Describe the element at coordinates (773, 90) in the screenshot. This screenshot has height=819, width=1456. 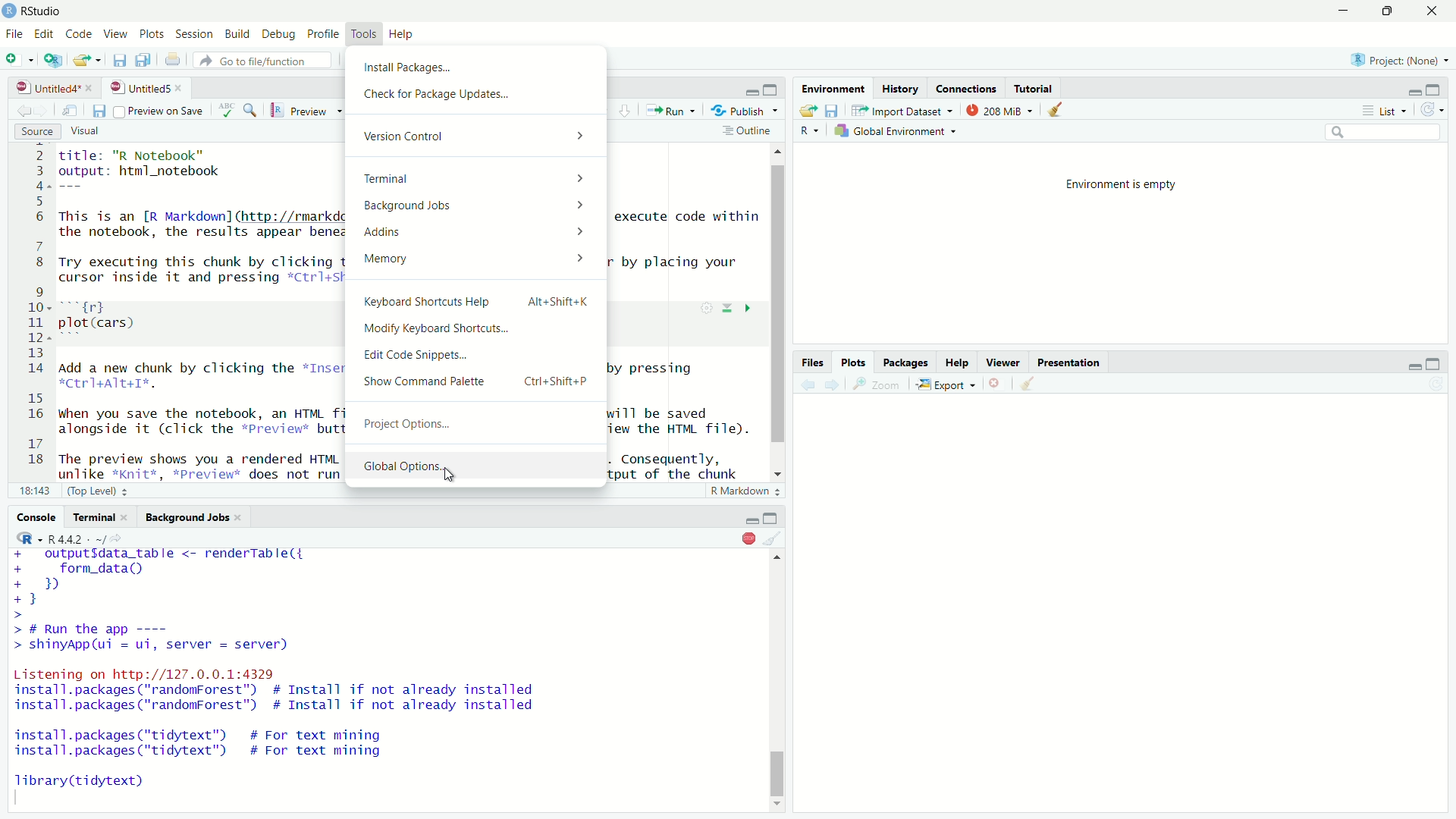
I see `maximize` at that location.